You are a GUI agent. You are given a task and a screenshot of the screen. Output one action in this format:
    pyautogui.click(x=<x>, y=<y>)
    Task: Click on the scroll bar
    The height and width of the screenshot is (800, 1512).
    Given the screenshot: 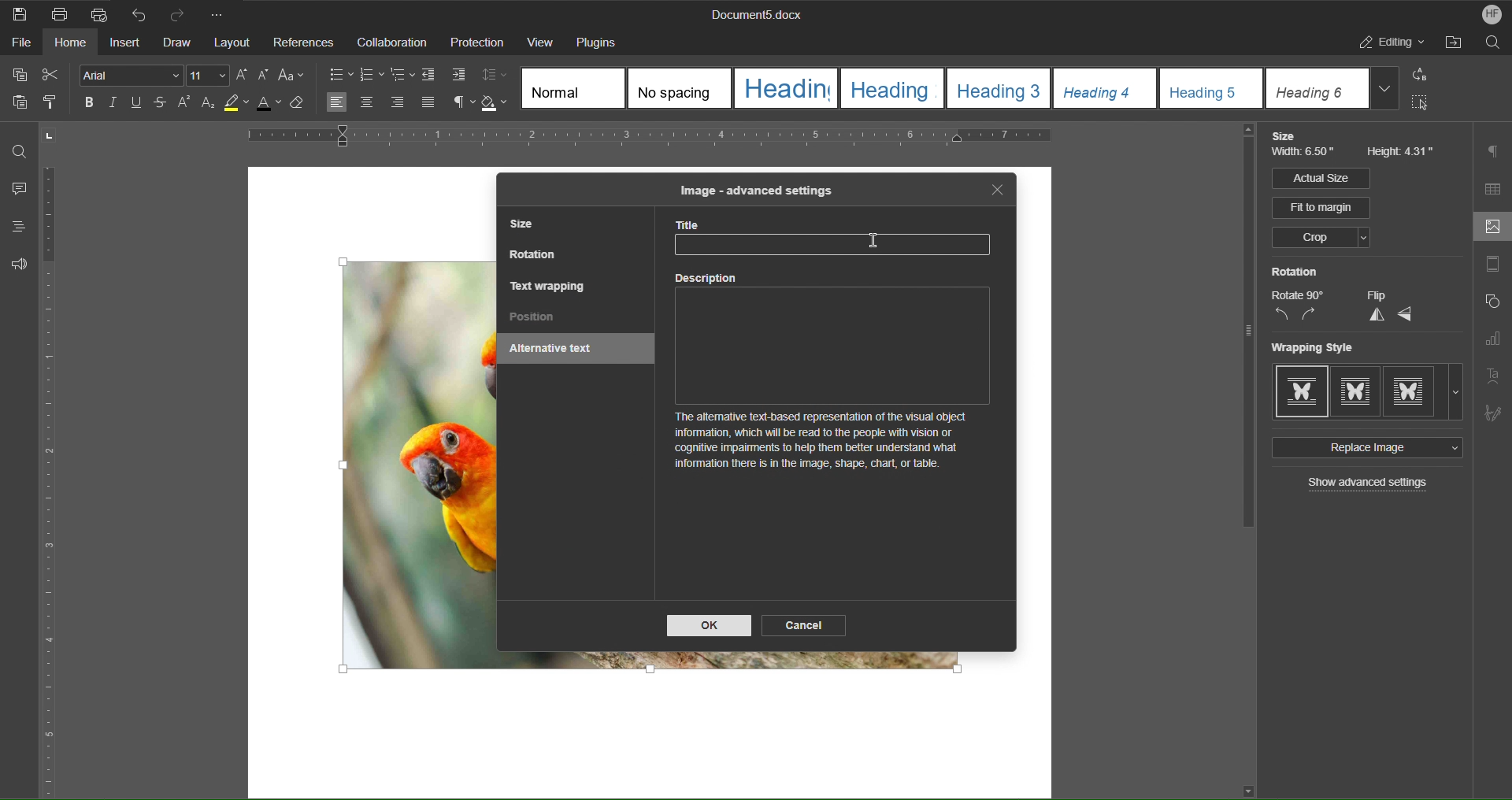 What is the action you would take?
    pyautogui.click(x=1244, y=331)
    